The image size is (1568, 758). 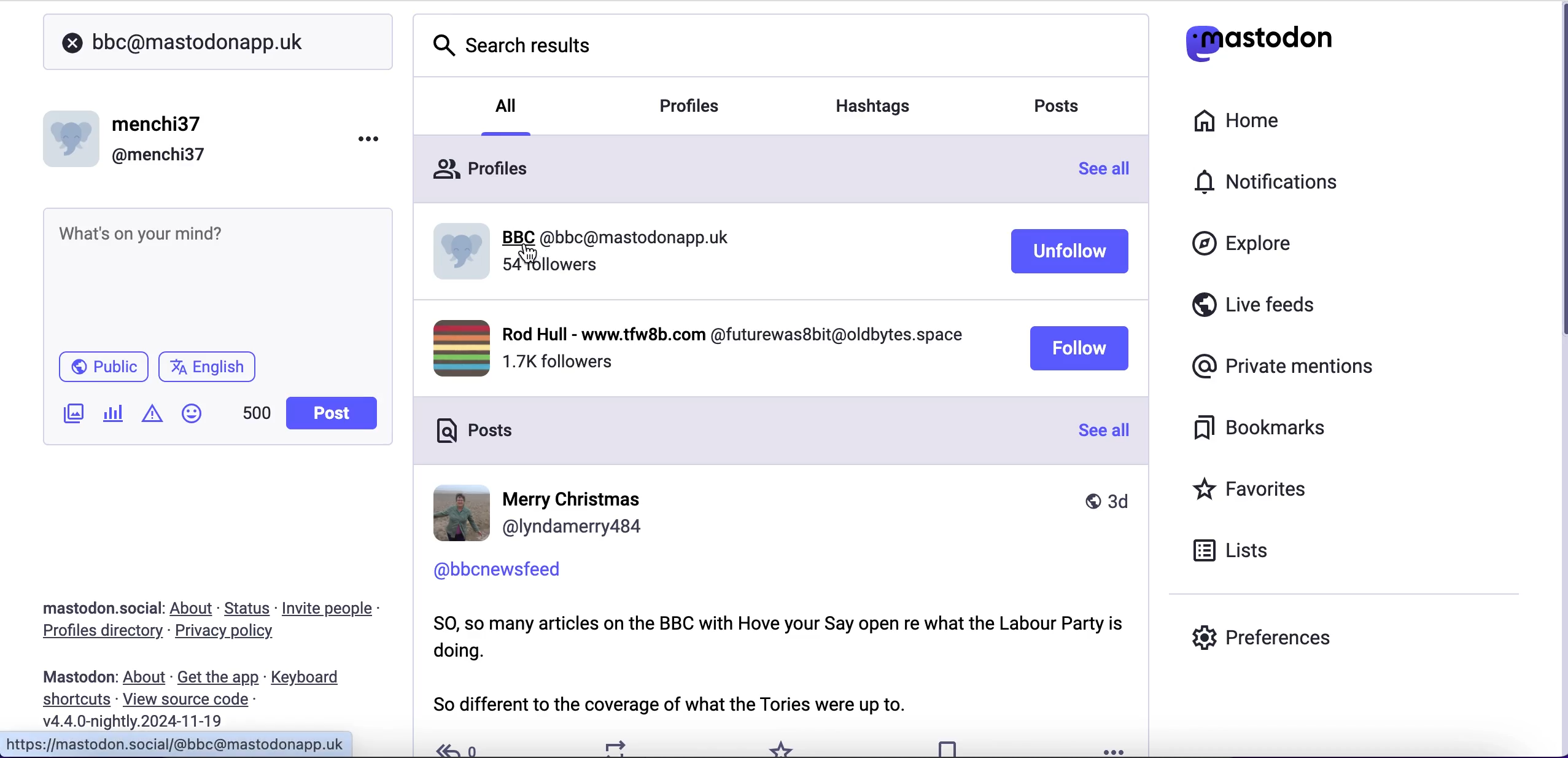 I want to click on emojis, so click(x=197, y=420).